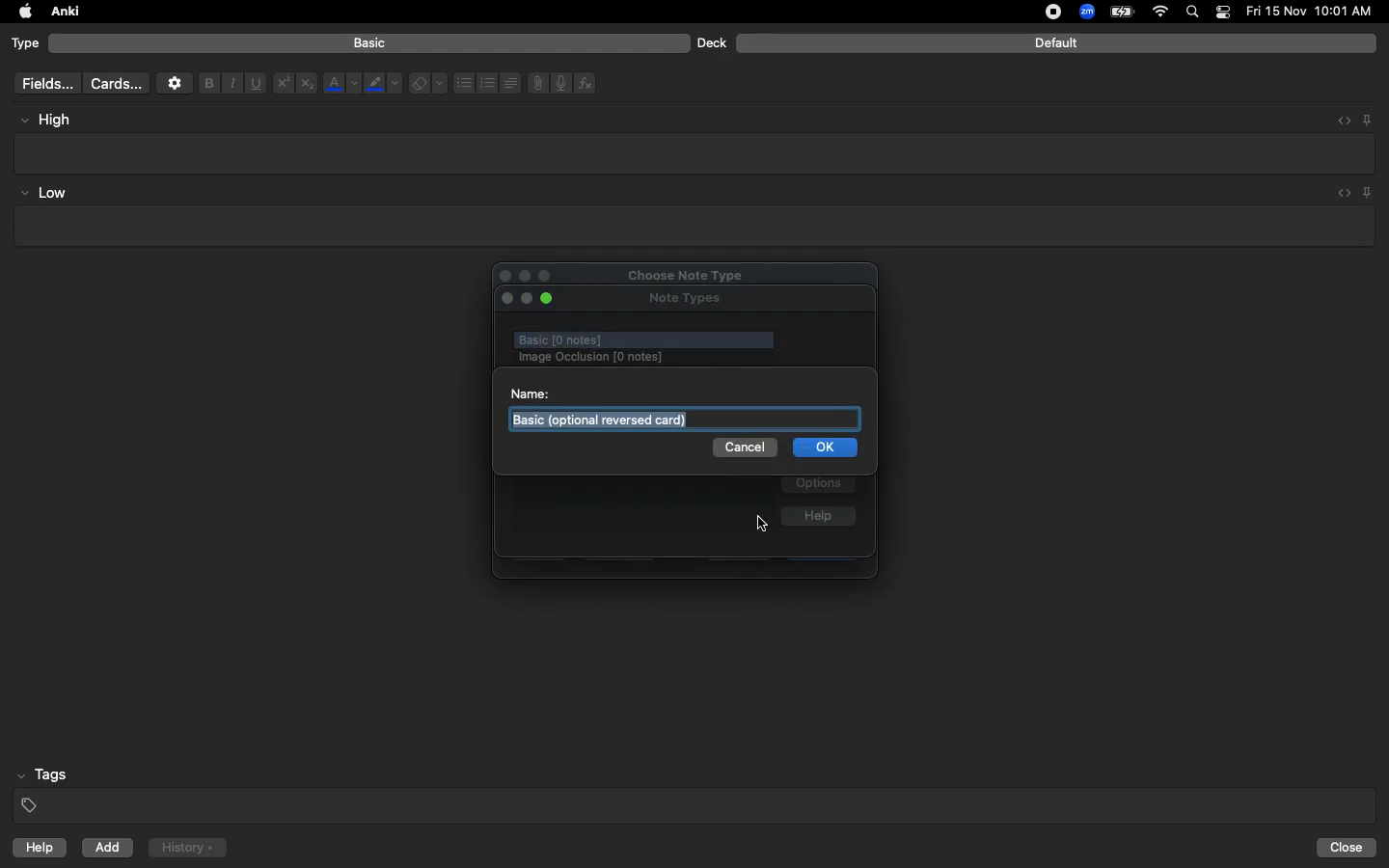 This screenshot has width=1389, height=868. Describe the element at coordinates (54, 120) in the screenshot. I see `High` at that location.